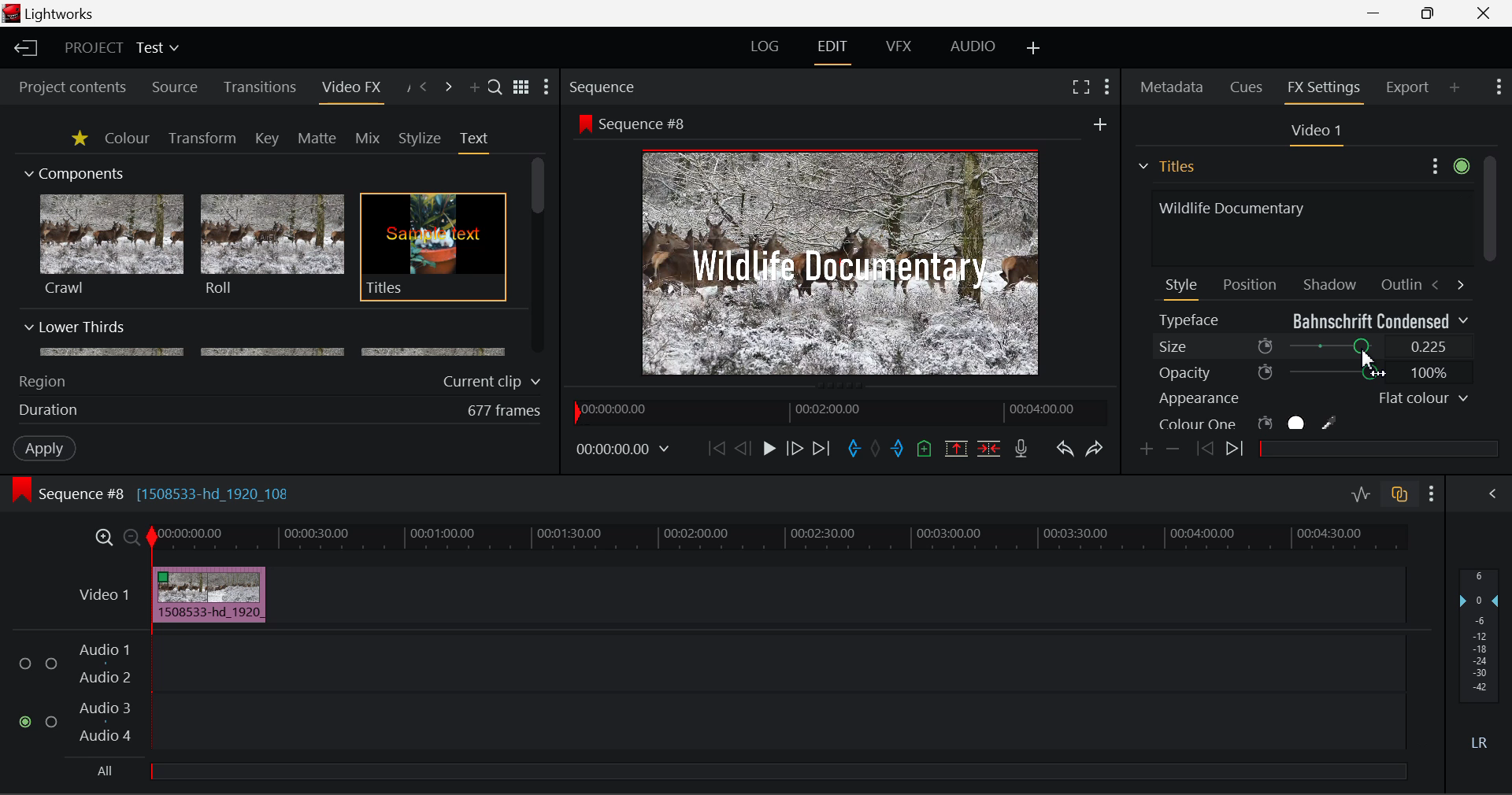 This screenshot has height=795, width=1512. What do you see at coordinates (433, 248) in the screenshot?
I see `Titles` at bounding box center [433, 248].